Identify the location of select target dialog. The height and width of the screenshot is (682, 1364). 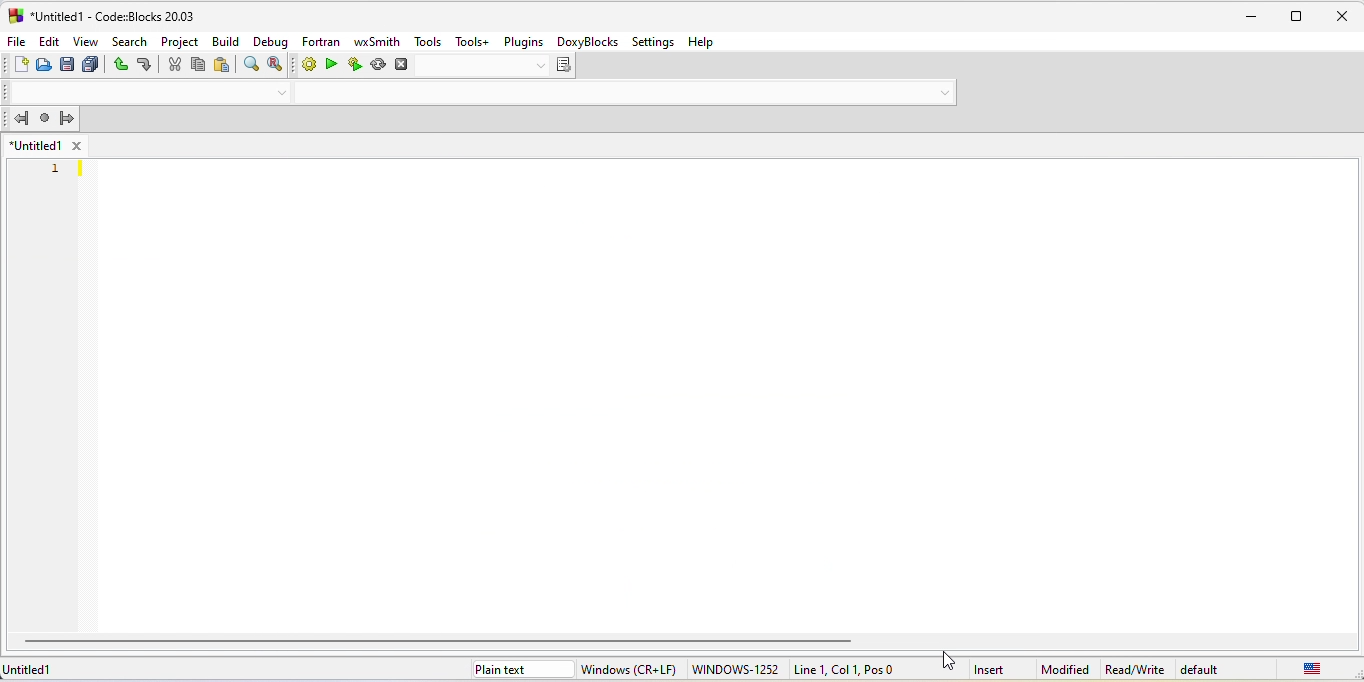
(494, 66).